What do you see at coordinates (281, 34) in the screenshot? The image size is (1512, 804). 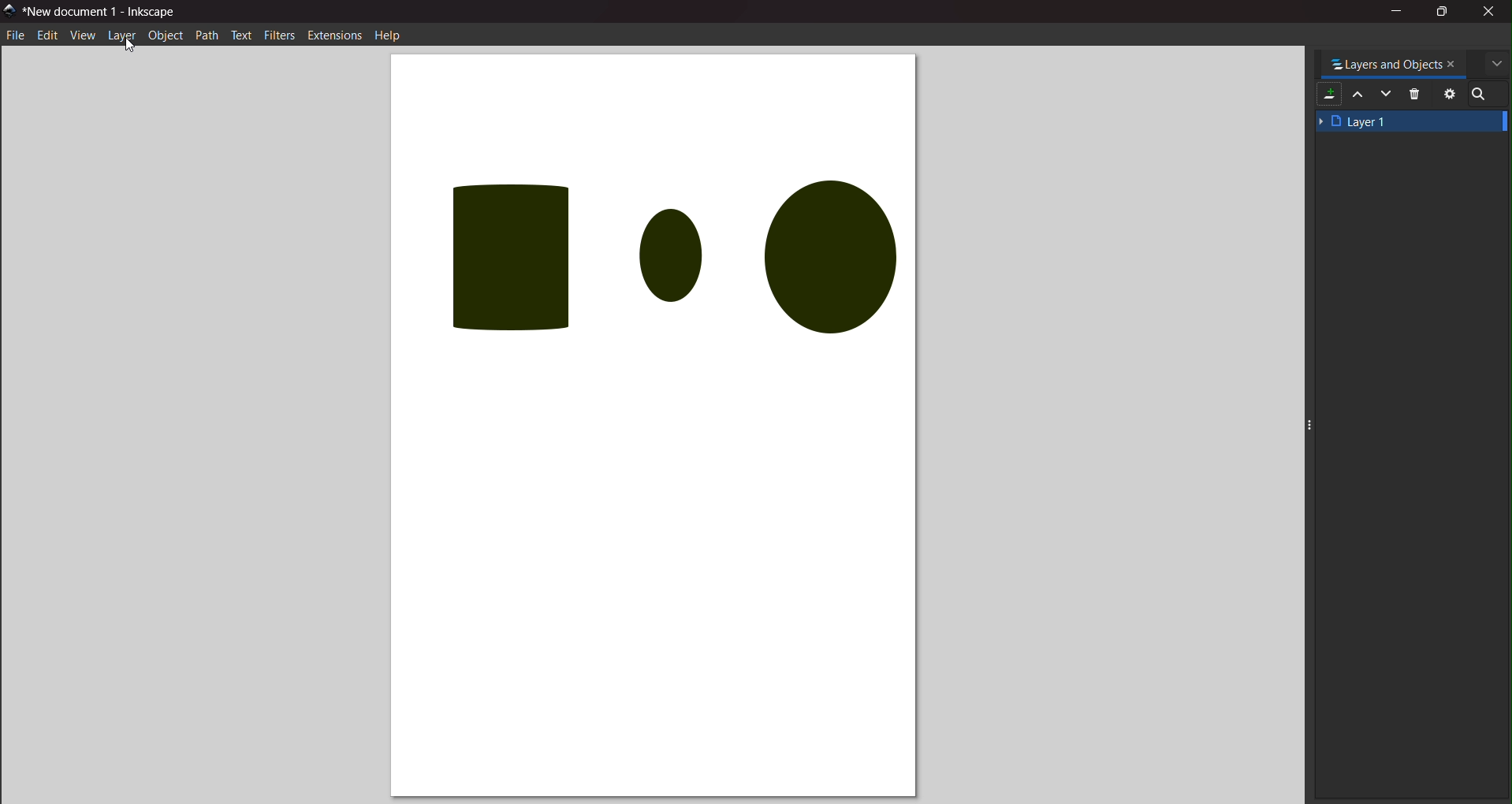 I see `filters` at bounding box center [281, 34].